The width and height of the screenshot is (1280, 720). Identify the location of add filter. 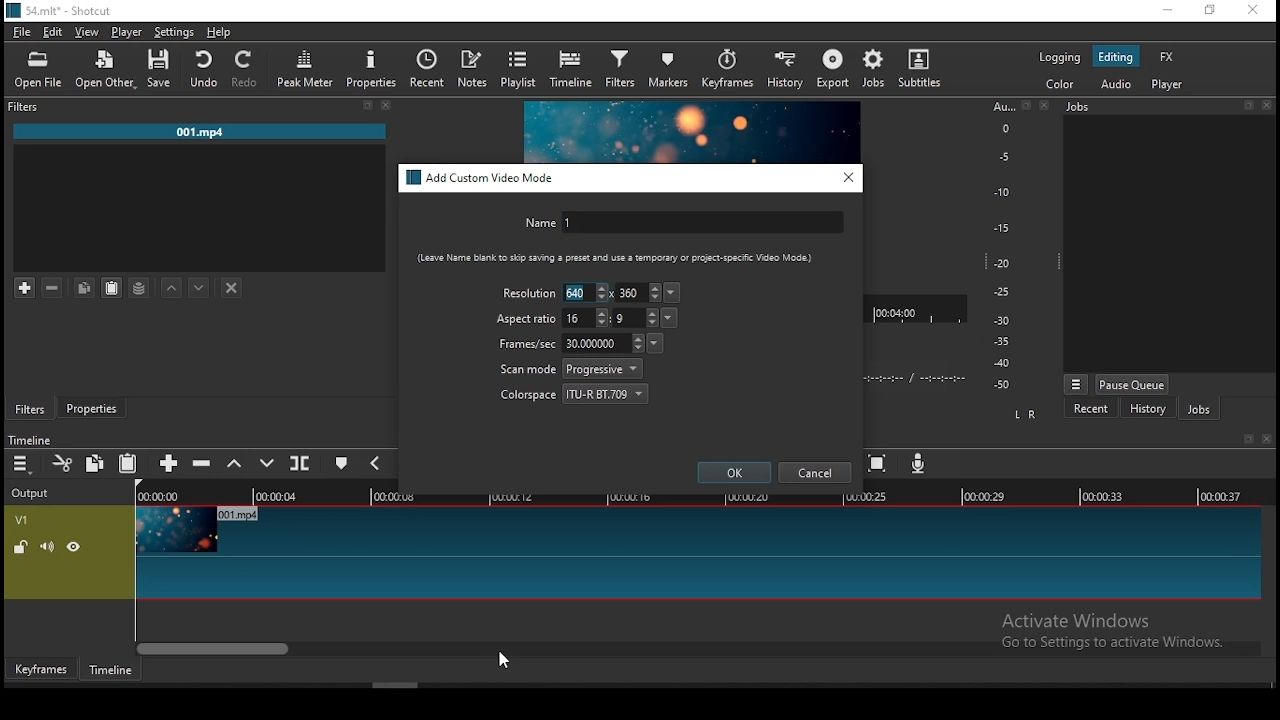
(25, 289).